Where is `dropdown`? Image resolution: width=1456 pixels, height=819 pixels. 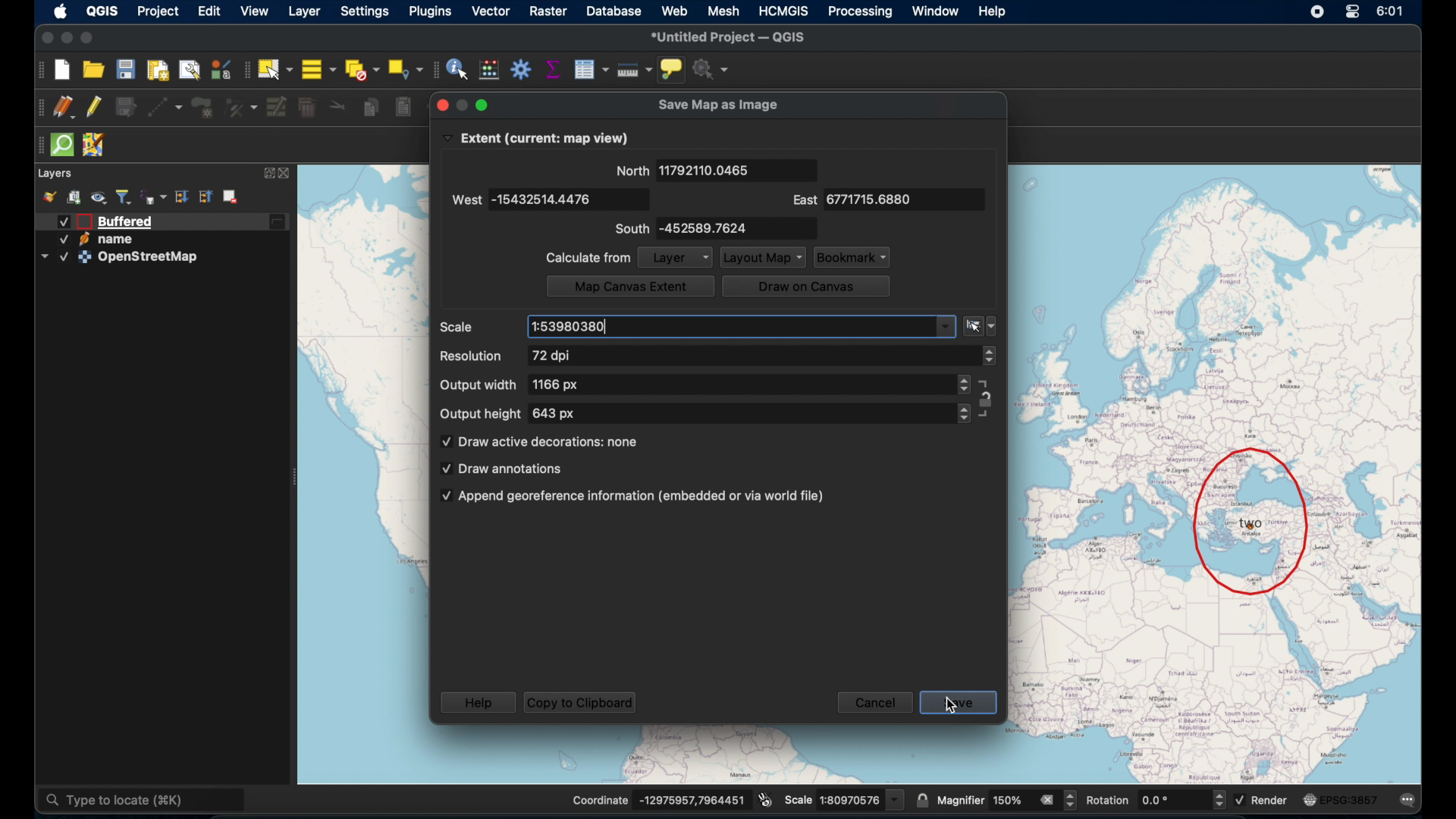 dropdown is located at coordinates (43, 257).